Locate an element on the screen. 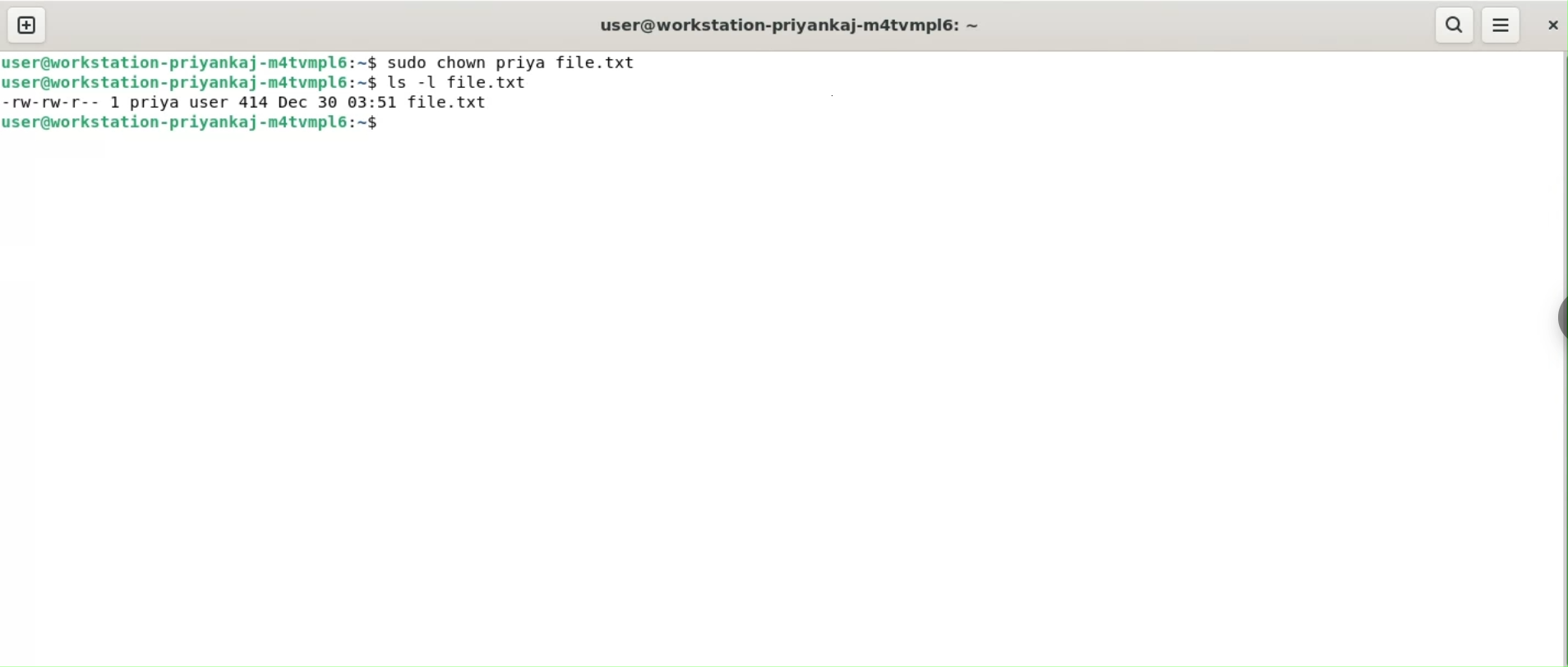 The width and height of the screenshot is (1568, 667). search is located at coordinates (1455, 25).